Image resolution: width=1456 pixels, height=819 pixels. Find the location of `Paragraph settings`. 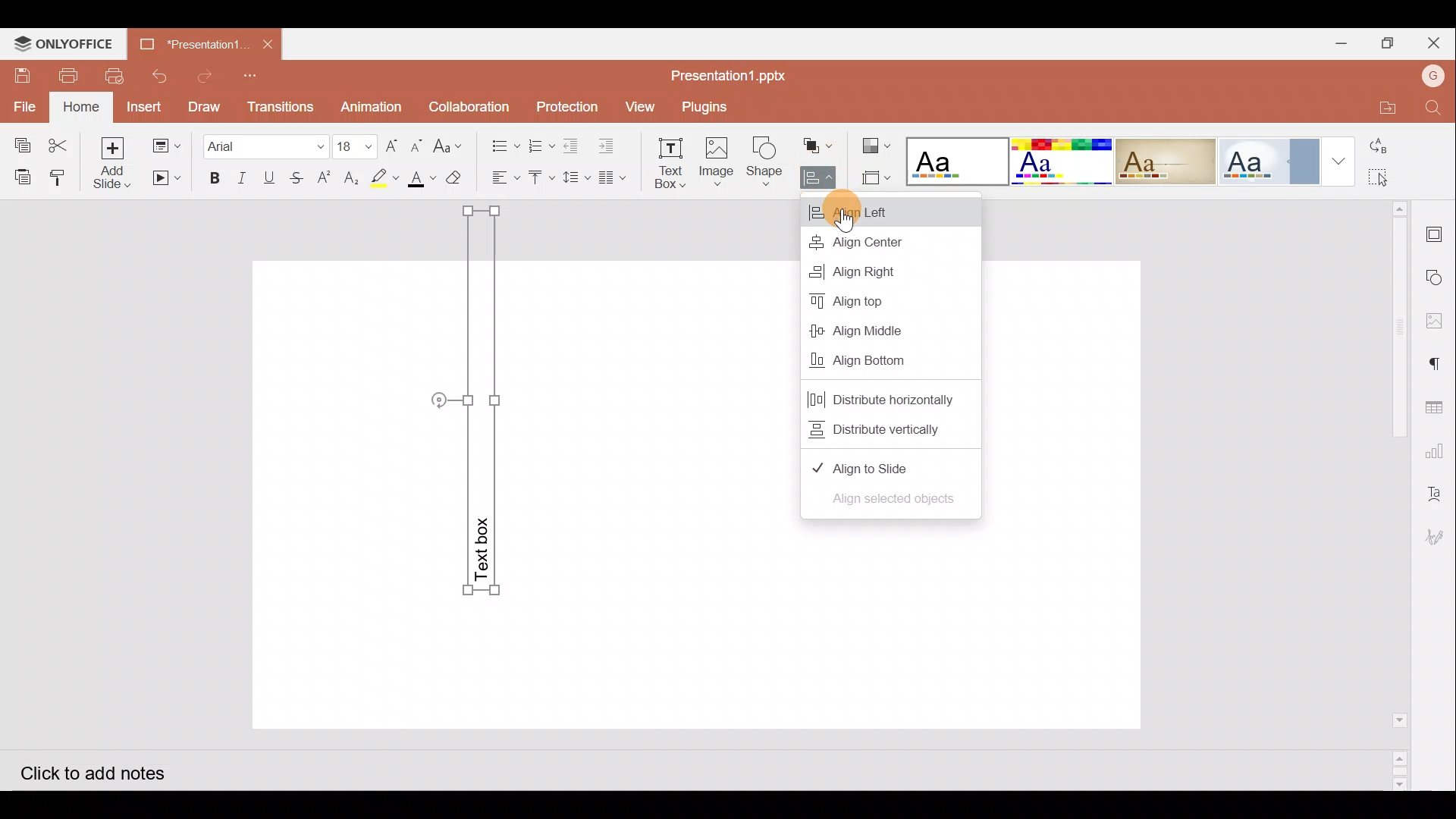

Paragraph settings is located at coordinates (1441, 362).